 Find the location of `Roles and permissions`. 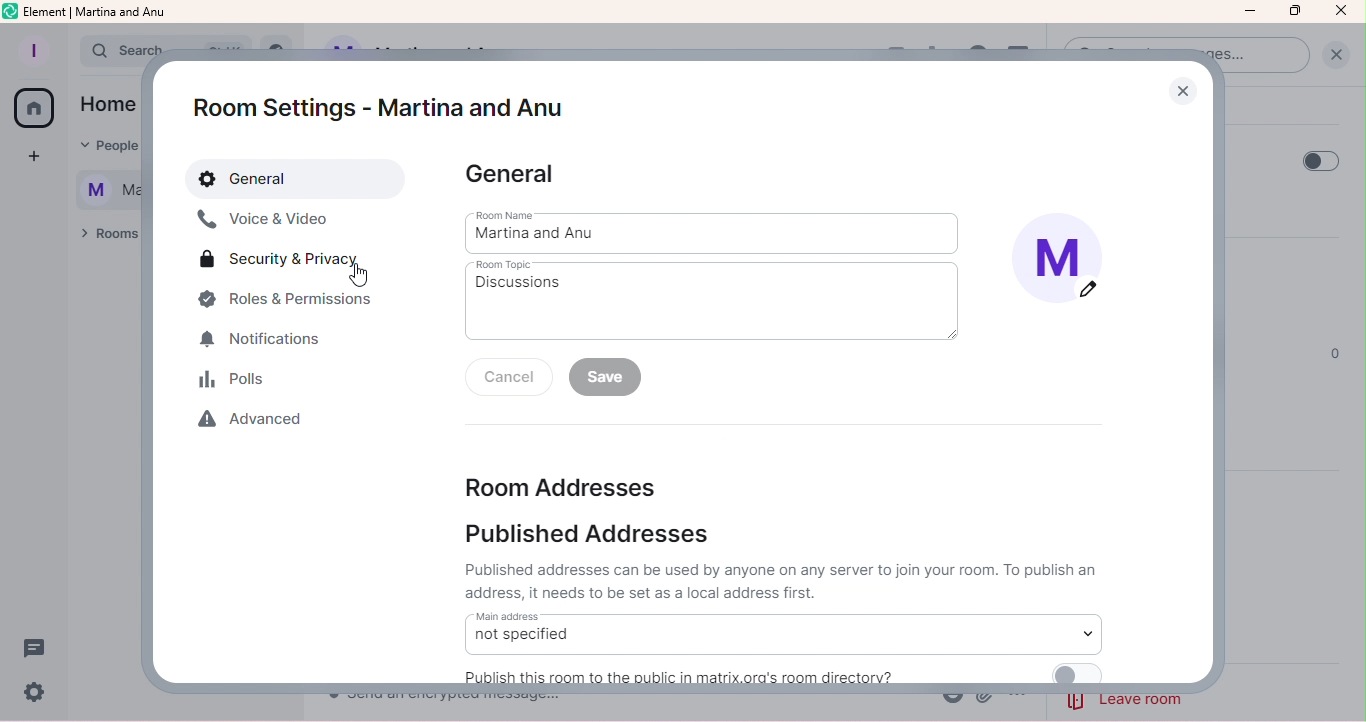

Roles and permissions is located at coordinates (294, 302).